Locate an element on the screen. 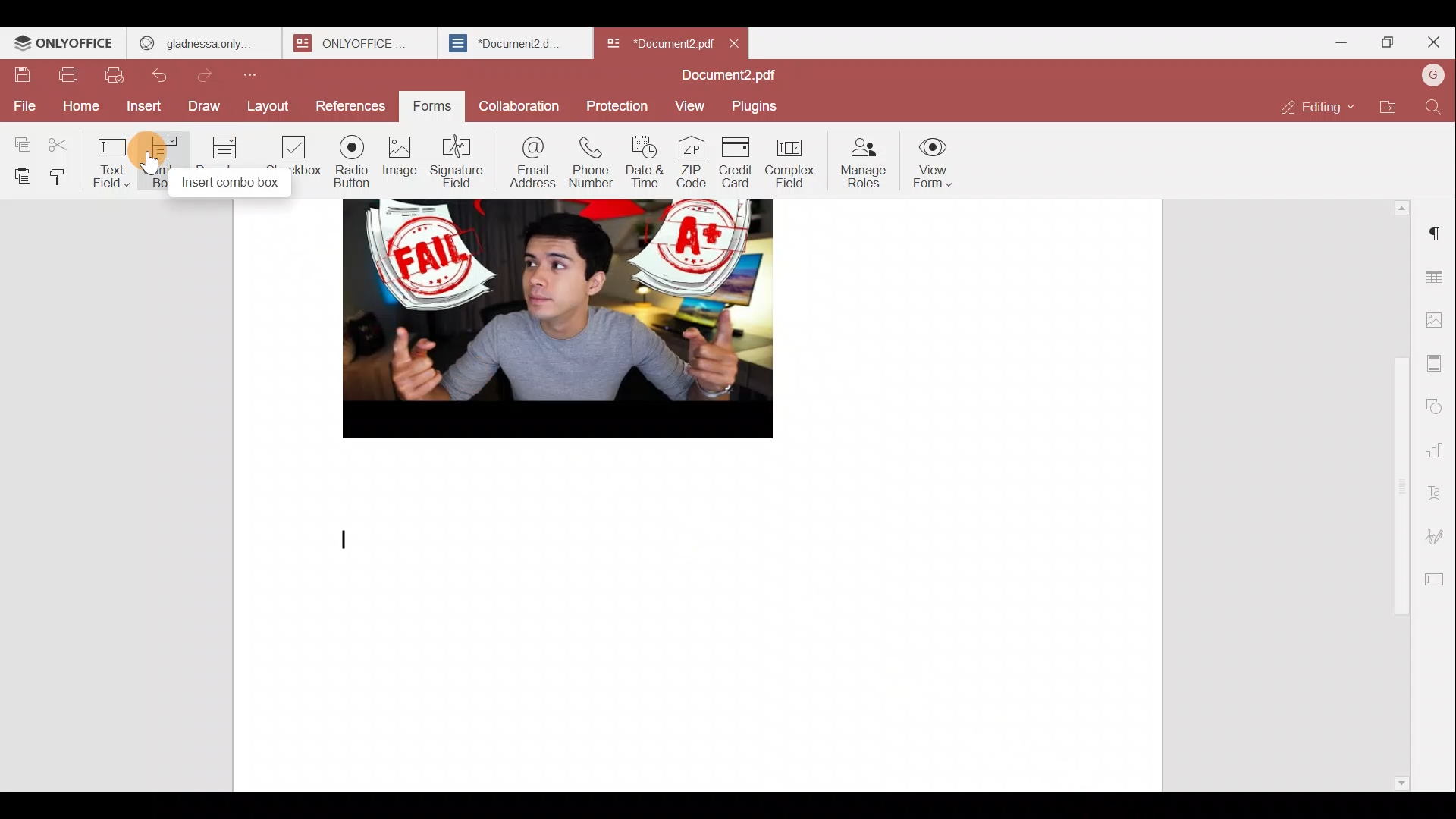 The height and width of the screenshot is (819, 1456). text cursor is located at coordinates (341, 534).